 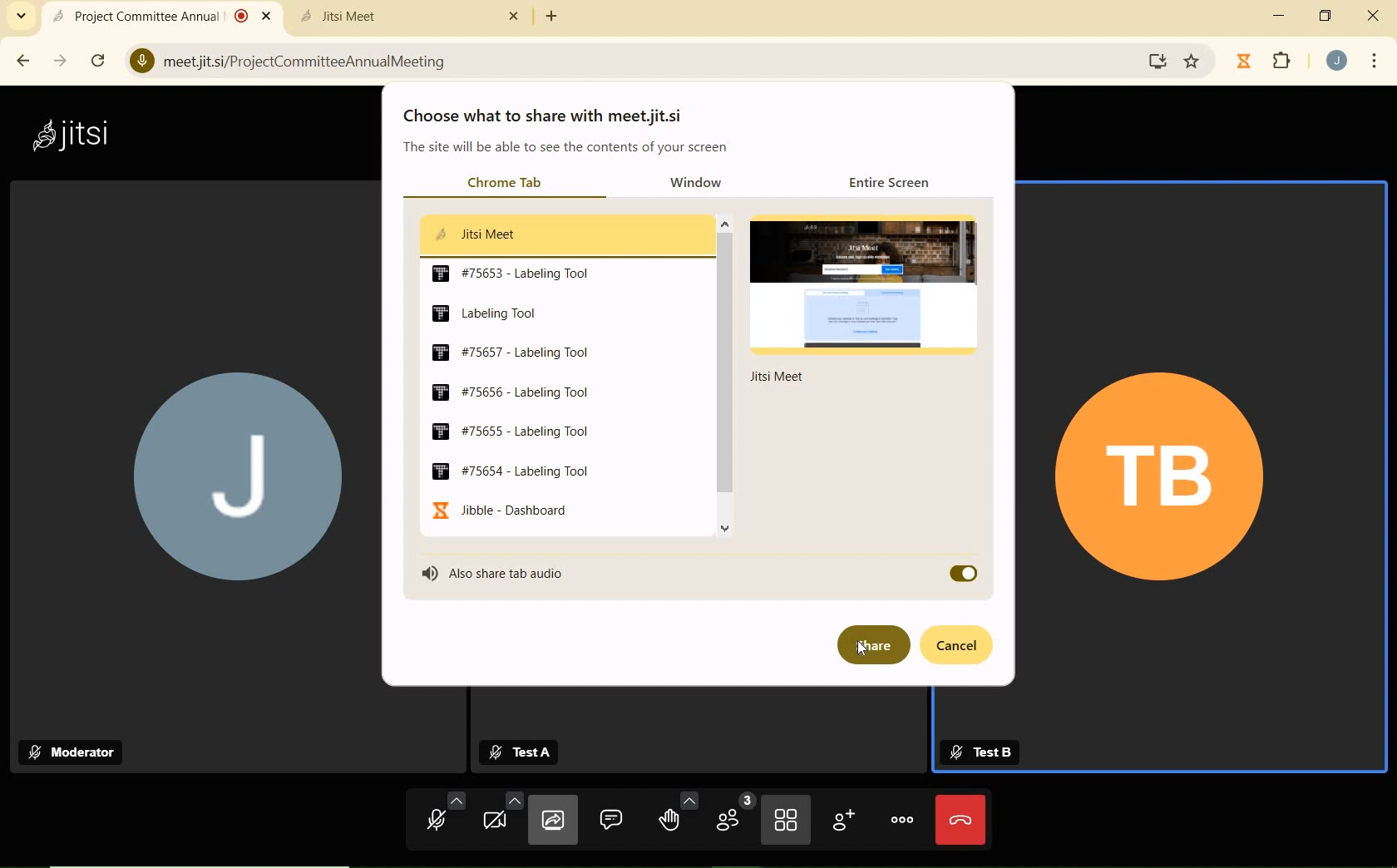 I want to click on participants, so click(x=733, y=817).